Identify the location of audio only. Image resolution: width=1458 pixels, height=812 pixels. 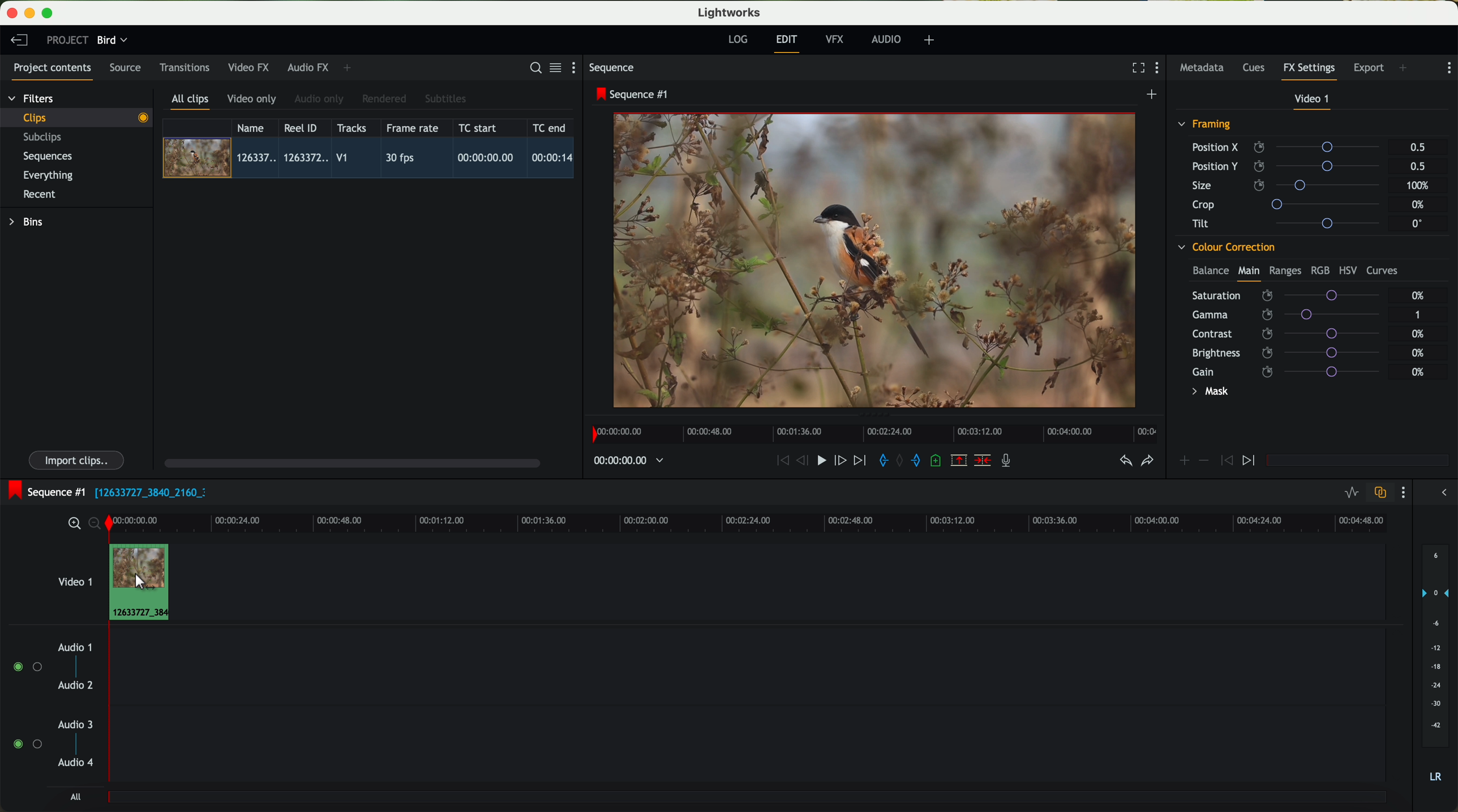
(320, 99).